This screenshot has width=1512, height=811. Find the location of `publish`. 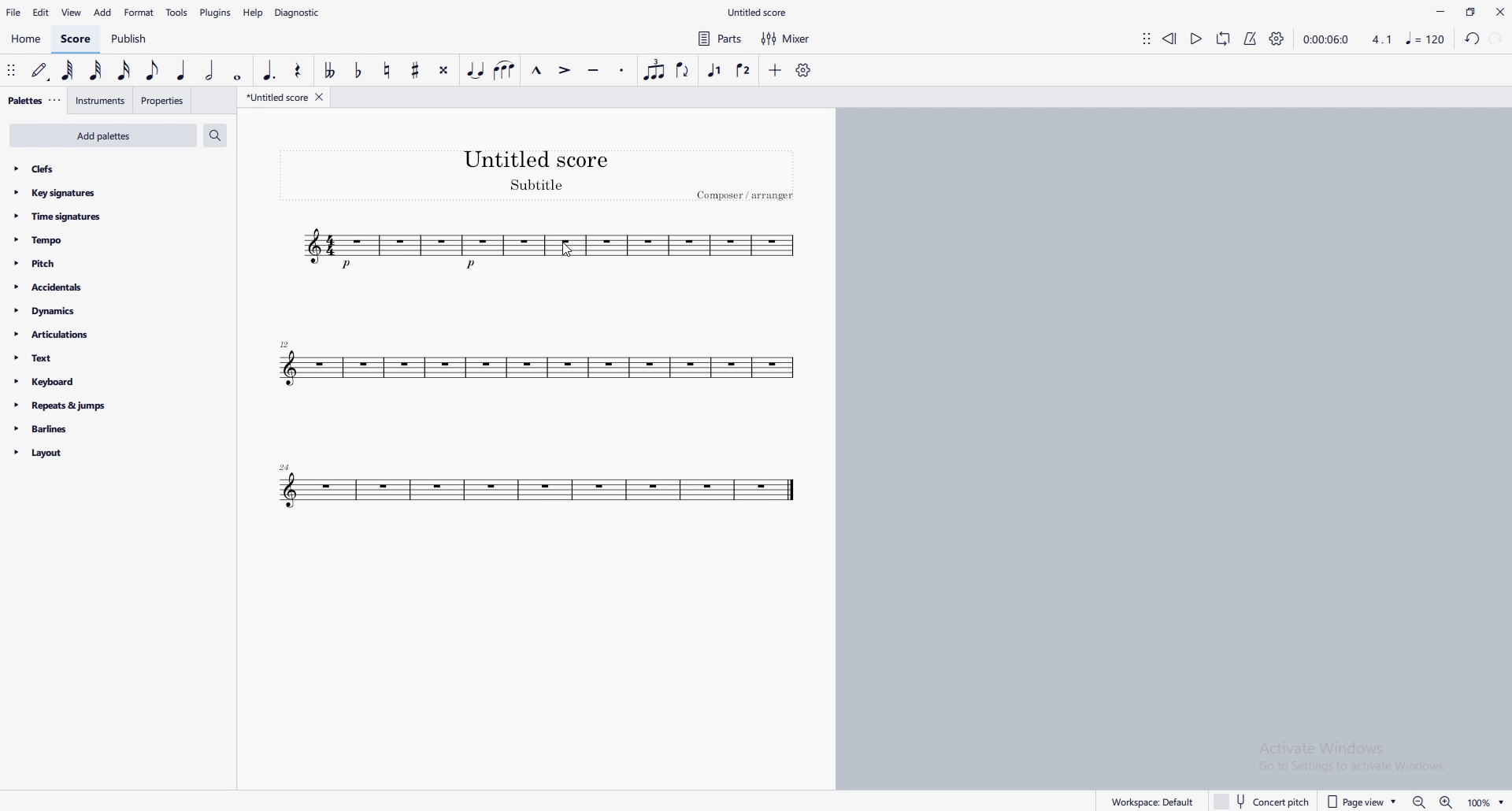

publish is located at coordinates (128, 39).